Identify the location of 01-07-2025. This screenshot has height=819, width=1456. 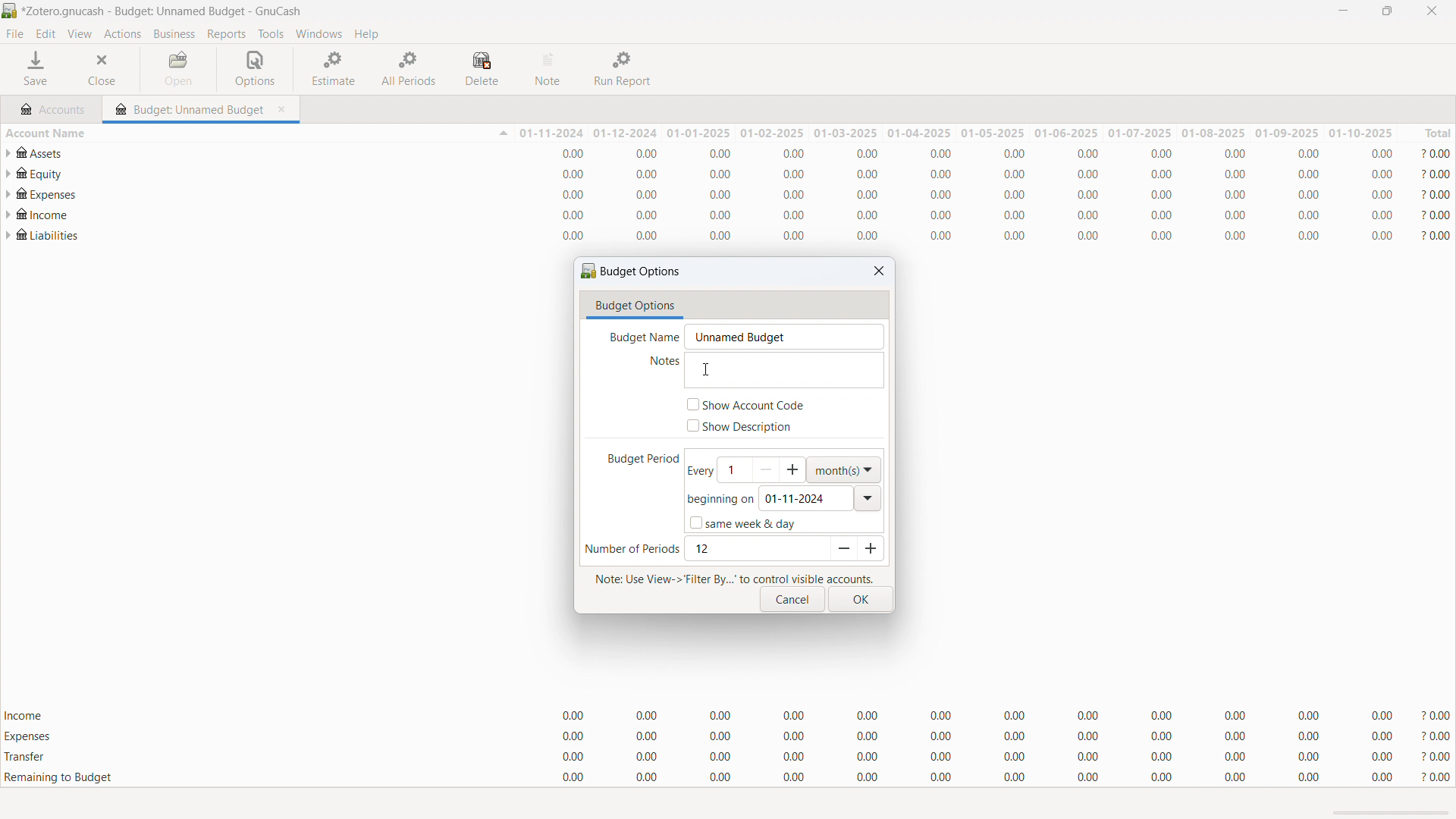
(1140, 133).